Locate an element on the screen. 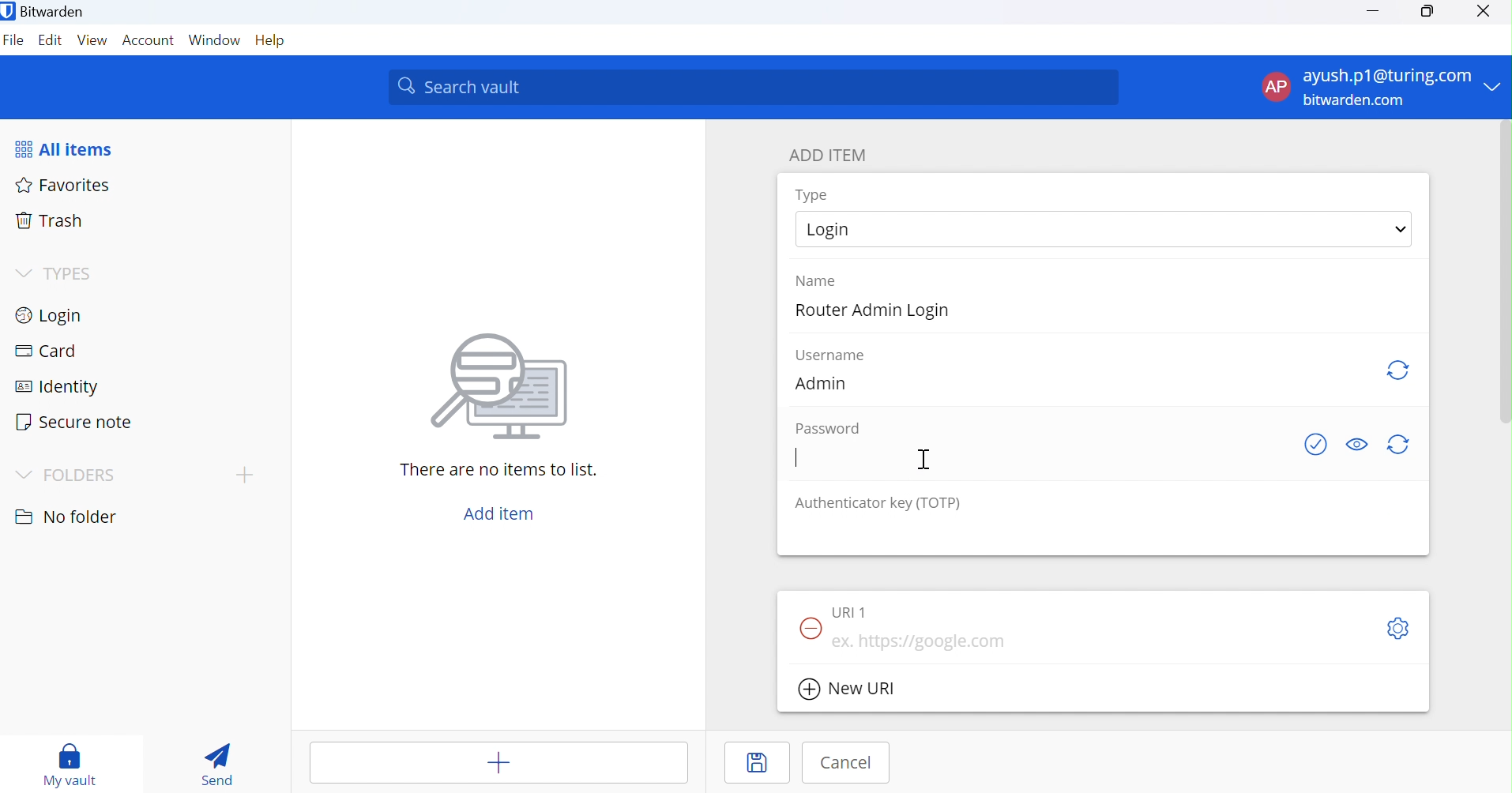 The height and width of the screenshot is (793, 1512). View is located at coordinates (92, 43).